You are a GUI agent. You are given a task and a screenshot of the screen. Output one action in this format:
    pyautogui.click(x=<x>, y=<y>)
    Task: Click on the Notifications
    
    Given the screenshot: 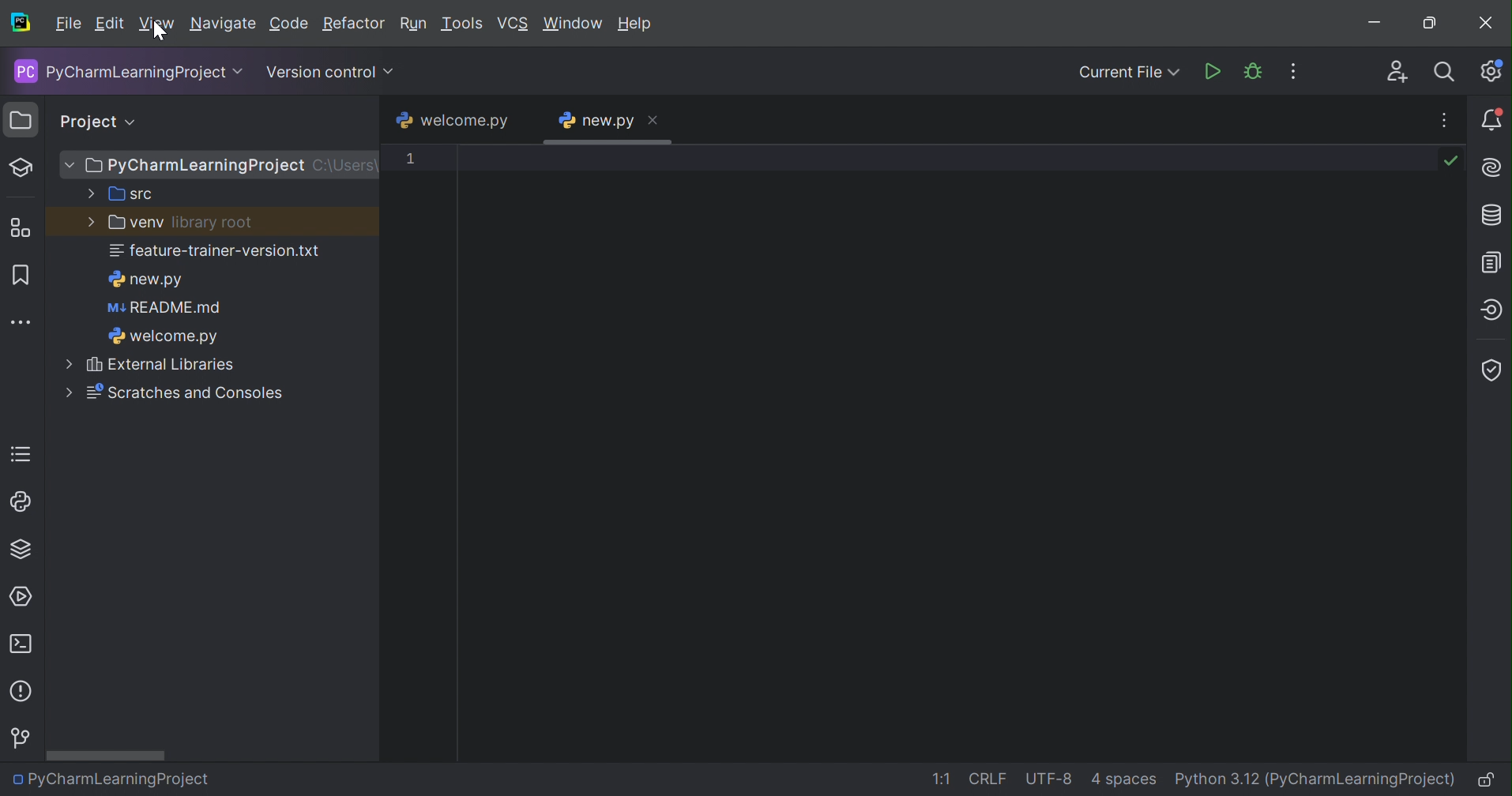 What is the action you would take?
    pyautogui.click(x=1491, y=119)
    